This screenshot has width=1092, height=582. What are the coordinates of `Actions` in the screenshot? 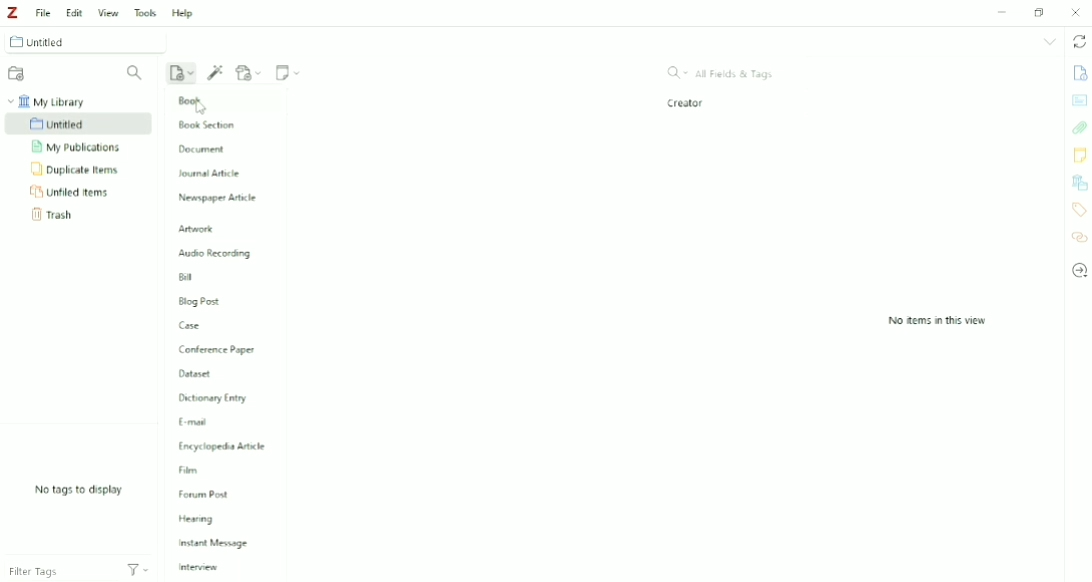 It's located at (145, 569).